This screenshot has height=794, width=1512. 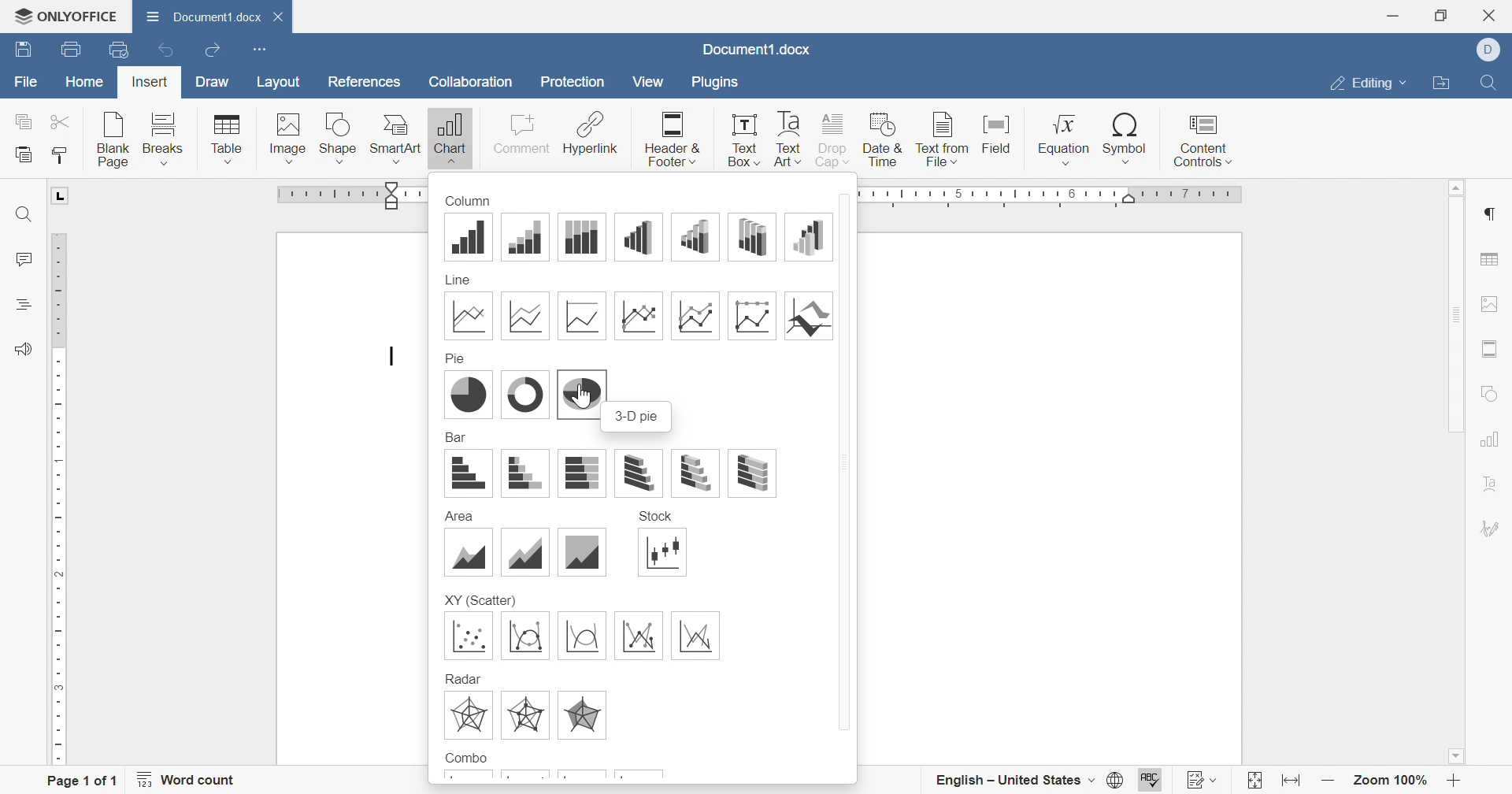 What do you see at coordinates (1492, 83) in the screenshot?
I see `Find` at bounding box center [1492, 83].